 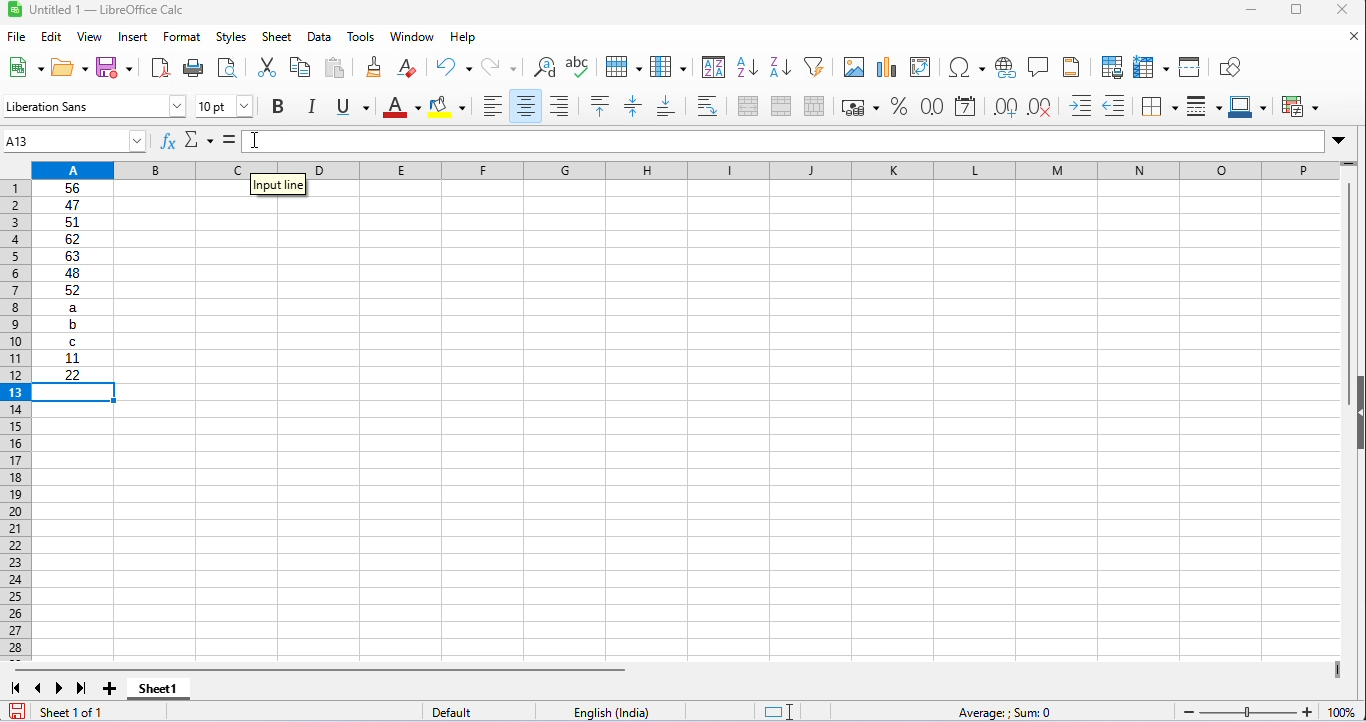 I want to click on italics, so click(x=311, y=106).